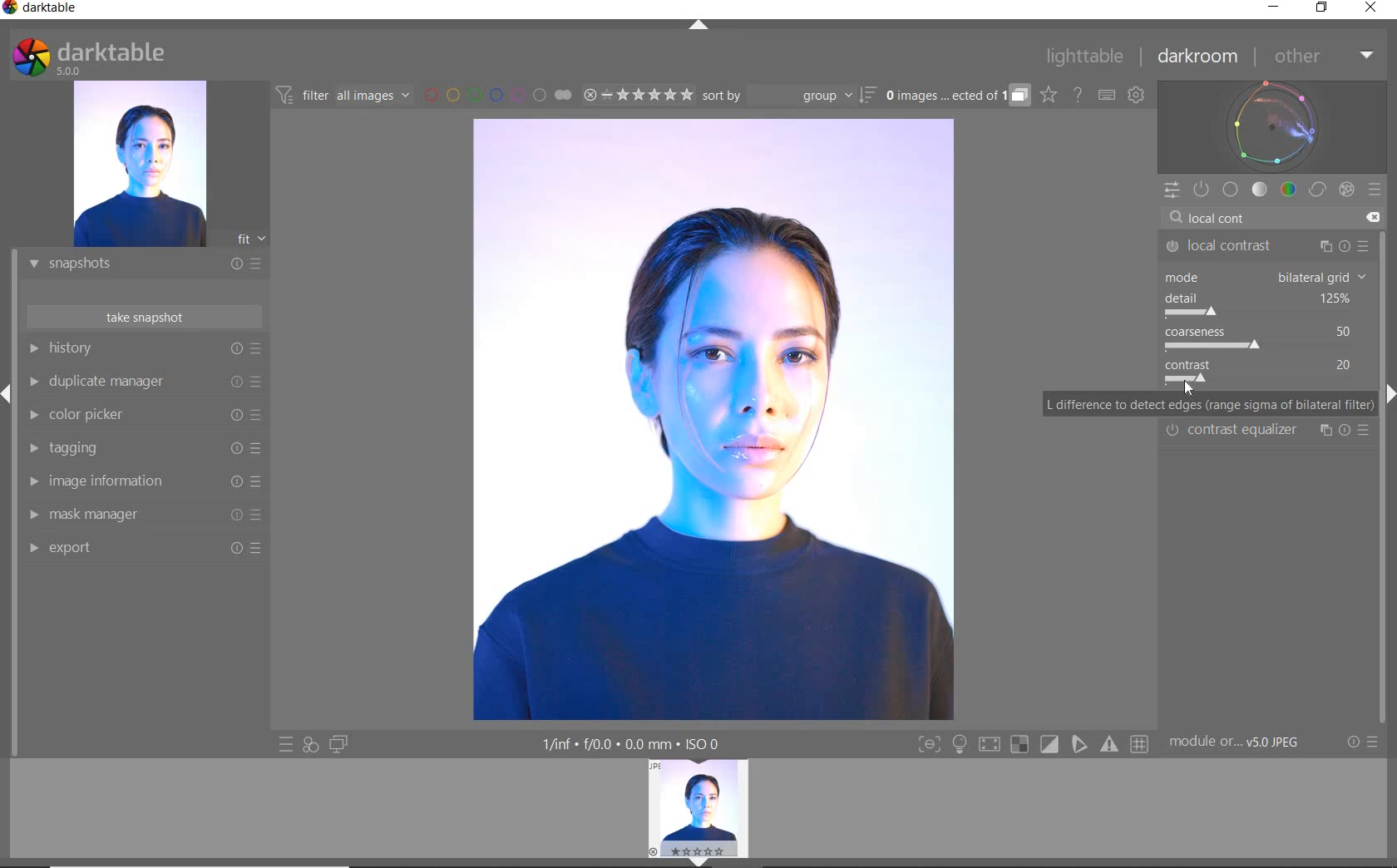  I want to click on CORRECT, so click(1319, 191).